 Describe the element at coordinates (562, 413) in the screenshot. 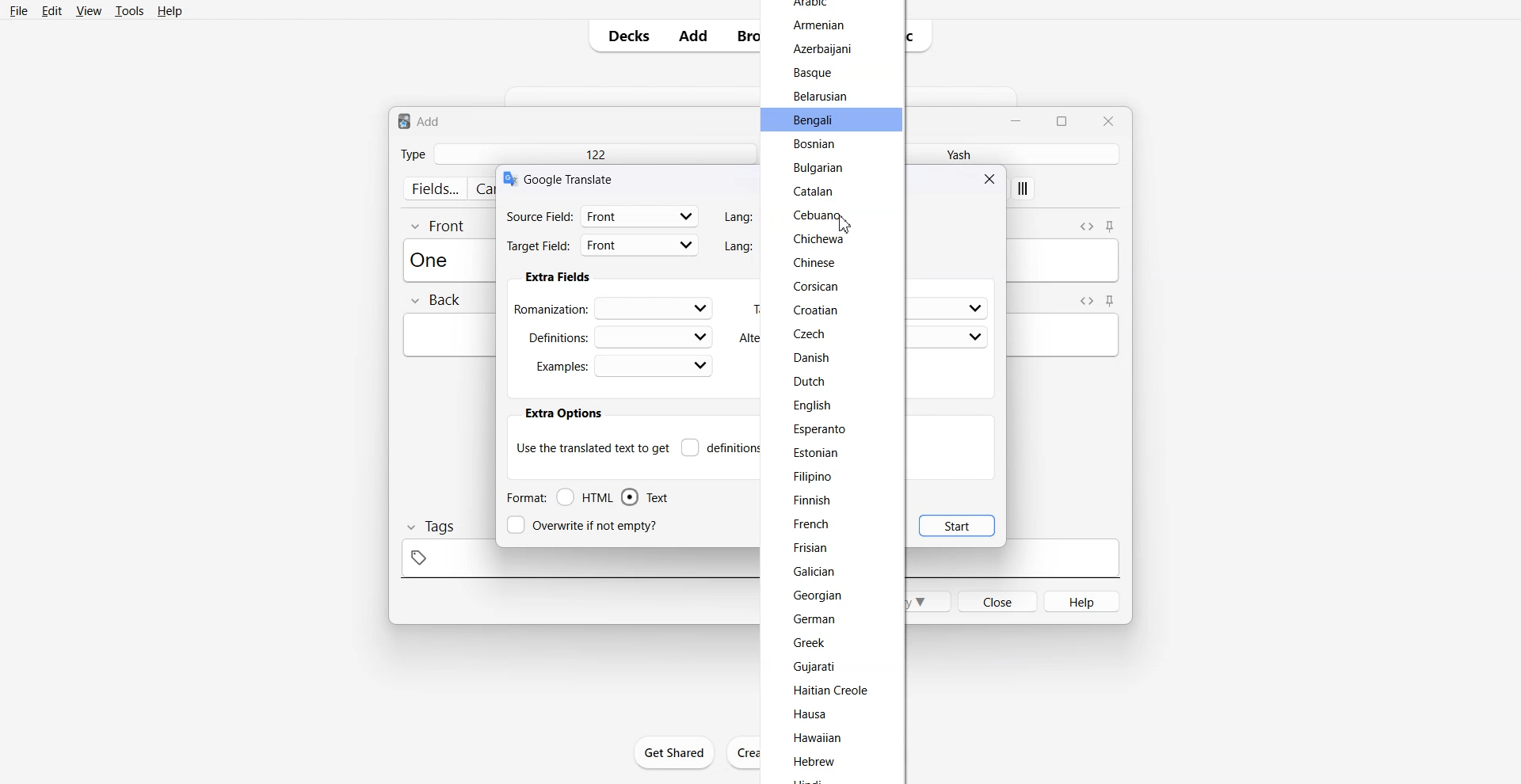

I see `extra options` at that location.